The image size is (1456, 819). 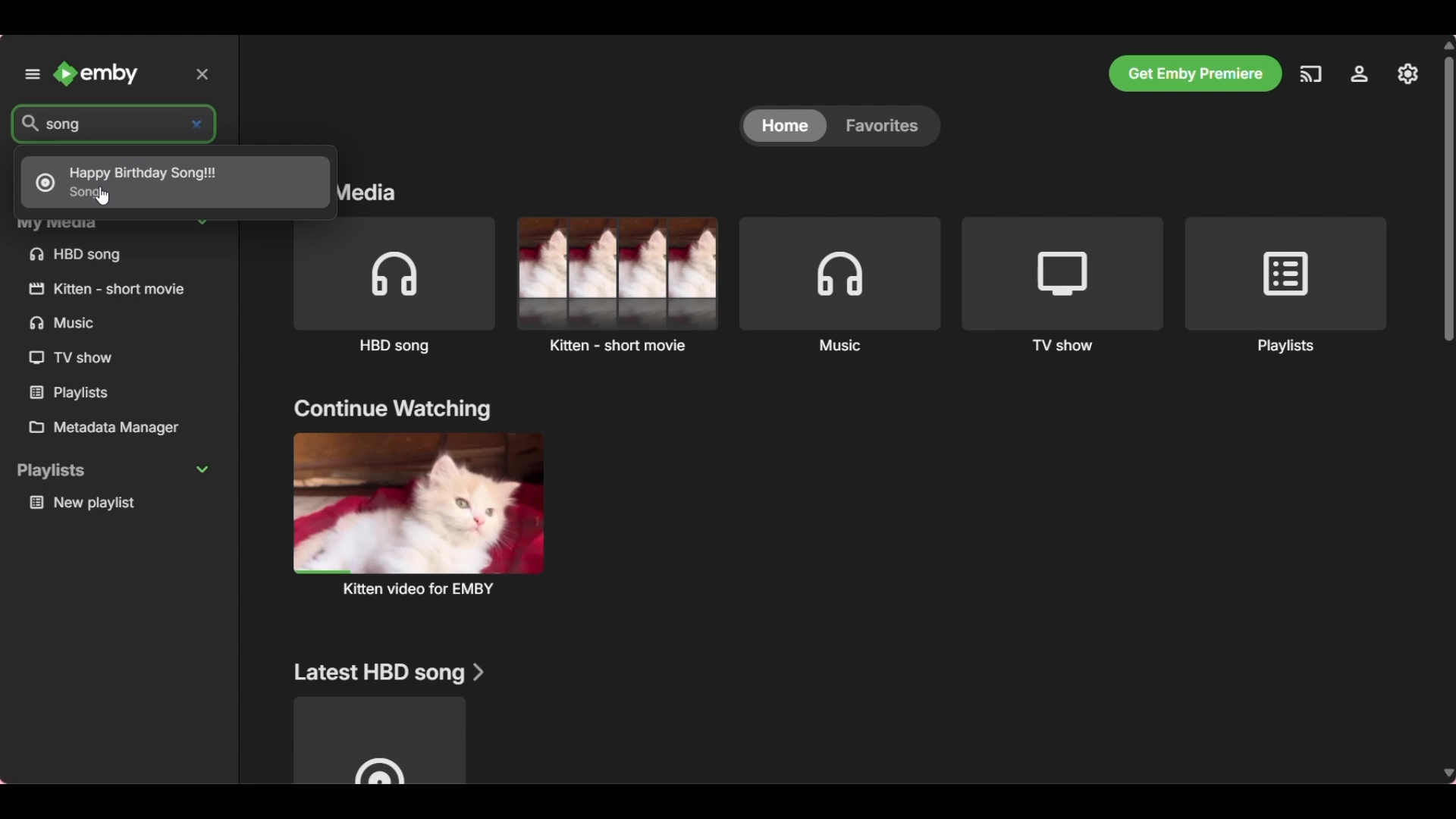 I want to click on HBD song, so click(x=394, y=287).